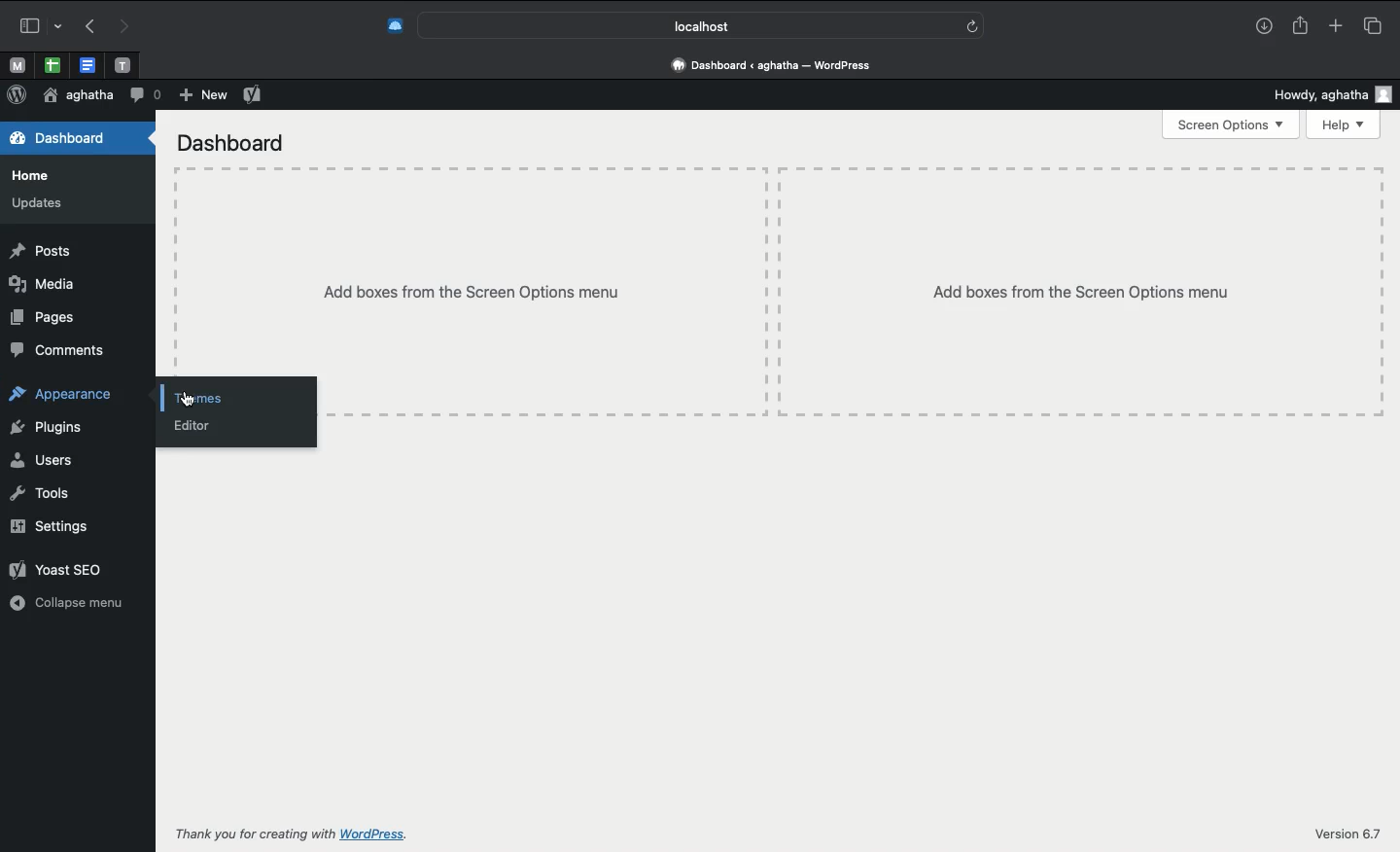 Image resolution: width=1400 pixels, height=852 pixels. I want to click on Share, so click(1299, 23).